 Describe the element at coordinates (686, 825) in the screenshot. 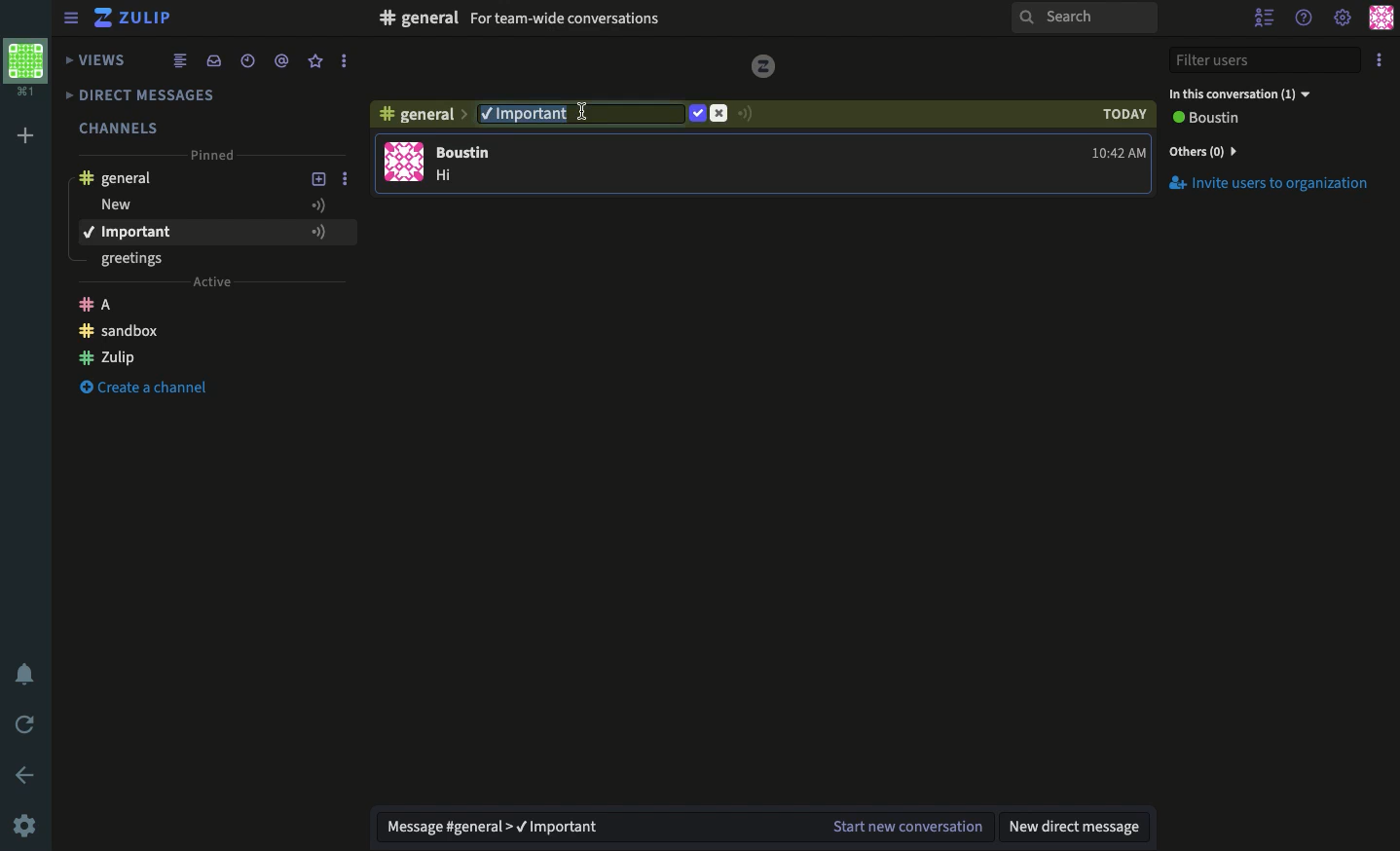

I see `Message` at that location.